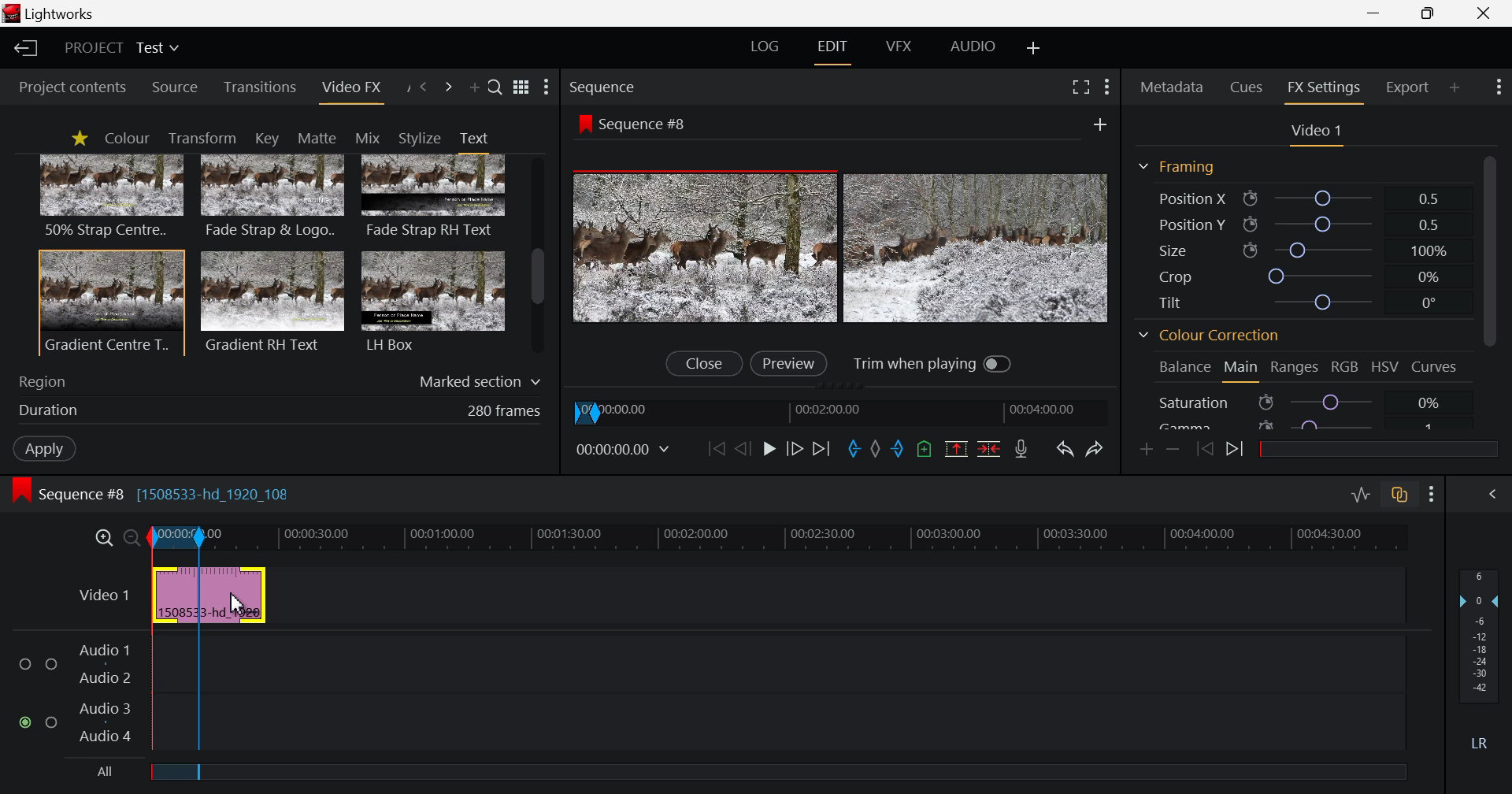  Describe the element at coordinates (162, 493) in the screenshot. I see `Sequence #8 [1508533-hd_1920_108` at that location.